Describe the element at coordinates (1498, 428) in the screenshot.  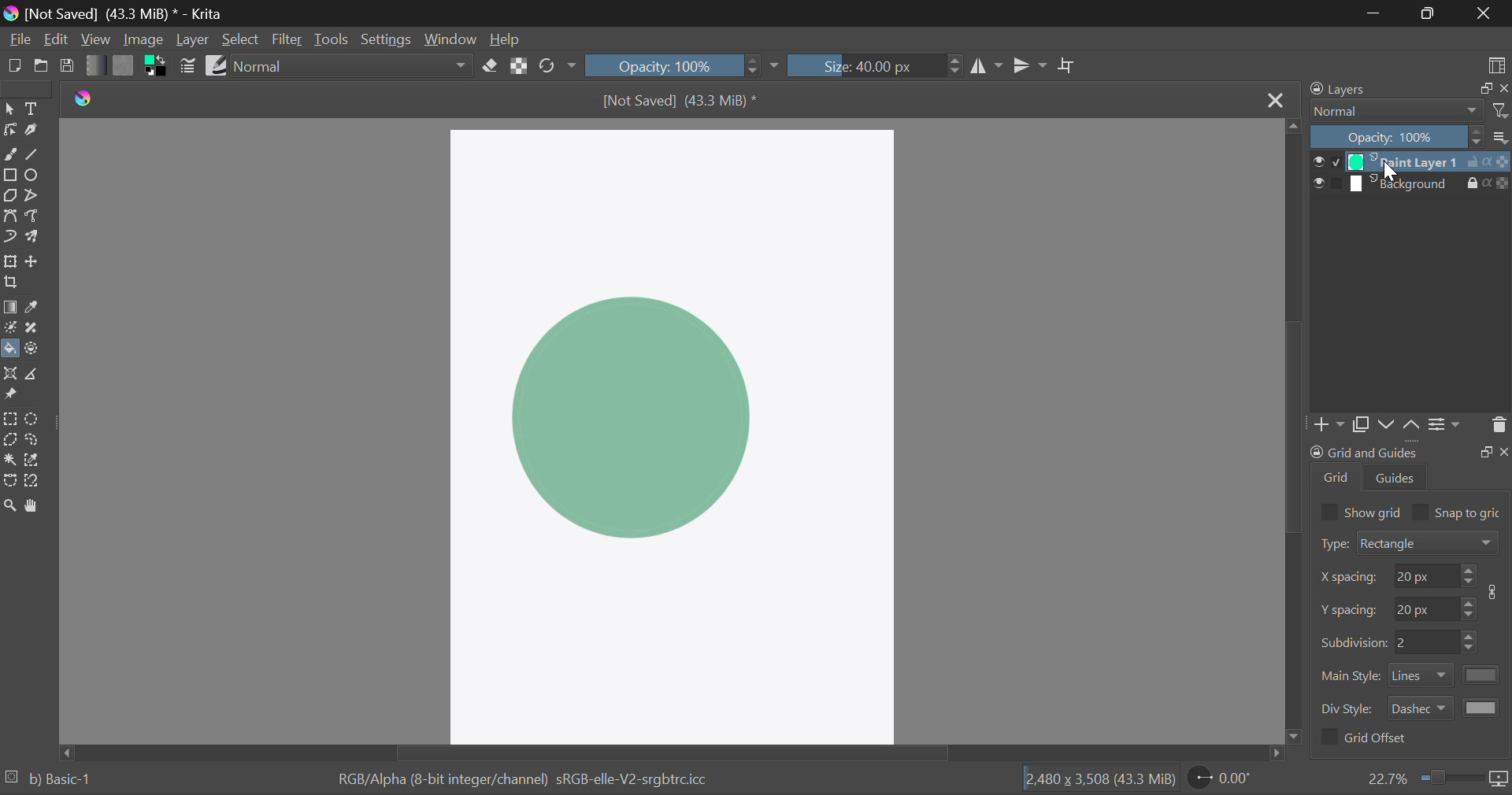
I see `Delete Layer` at that location.